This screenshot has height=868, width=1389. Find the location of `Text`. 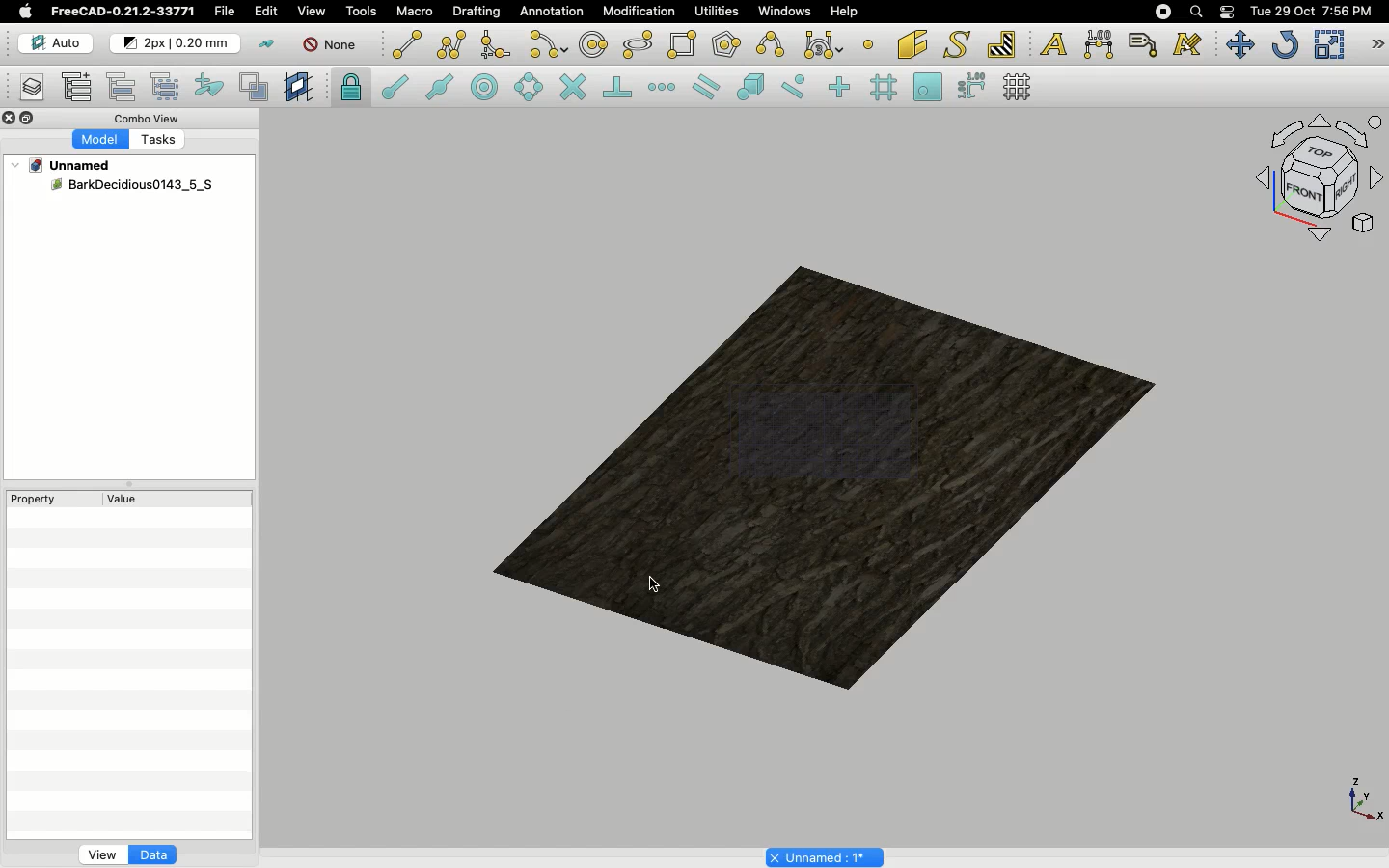

Text is located at coordinates (1053, 45).